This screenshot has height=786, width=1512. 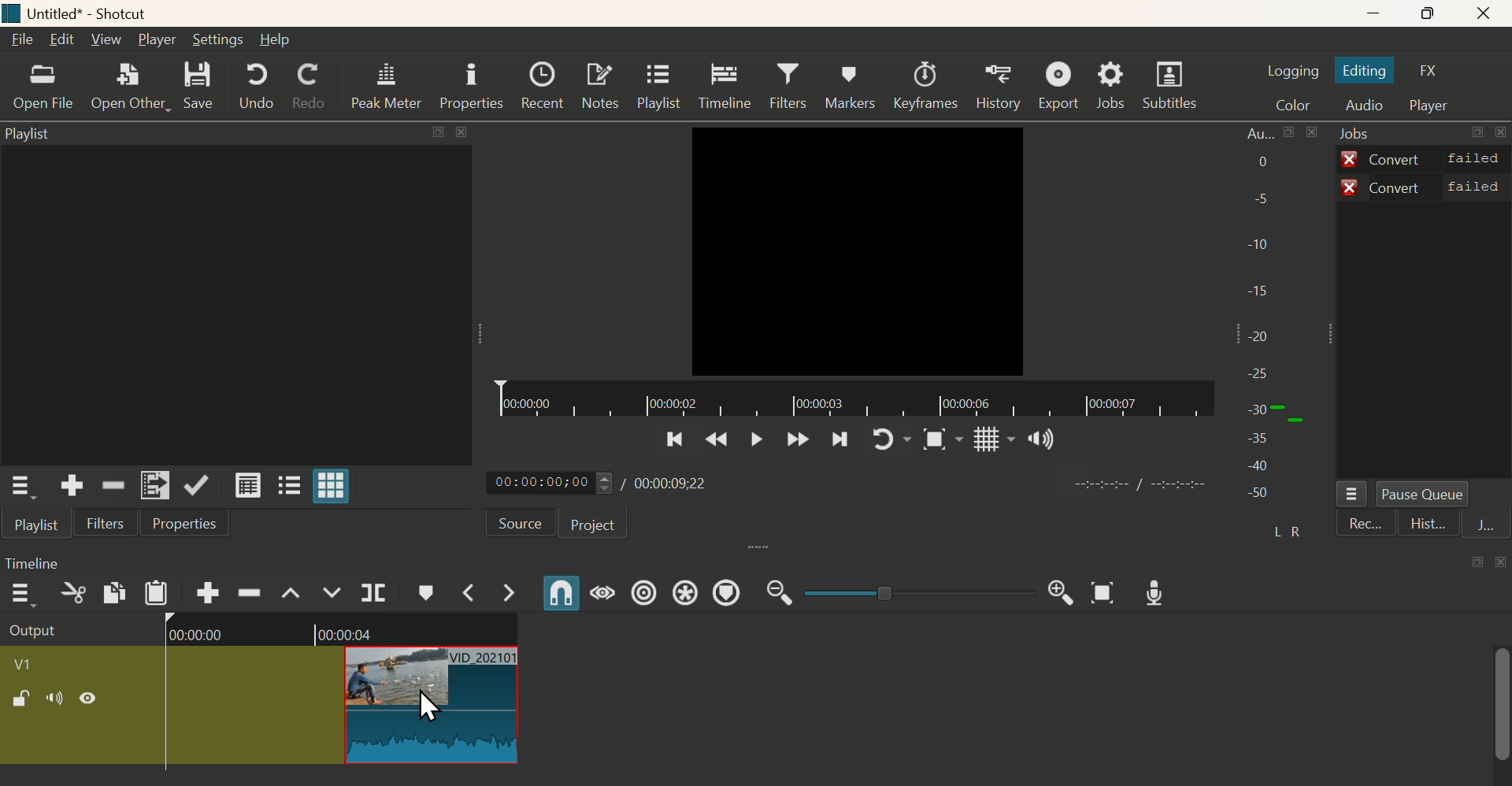 I want to click on Editing, so click(x=1370, y=72).